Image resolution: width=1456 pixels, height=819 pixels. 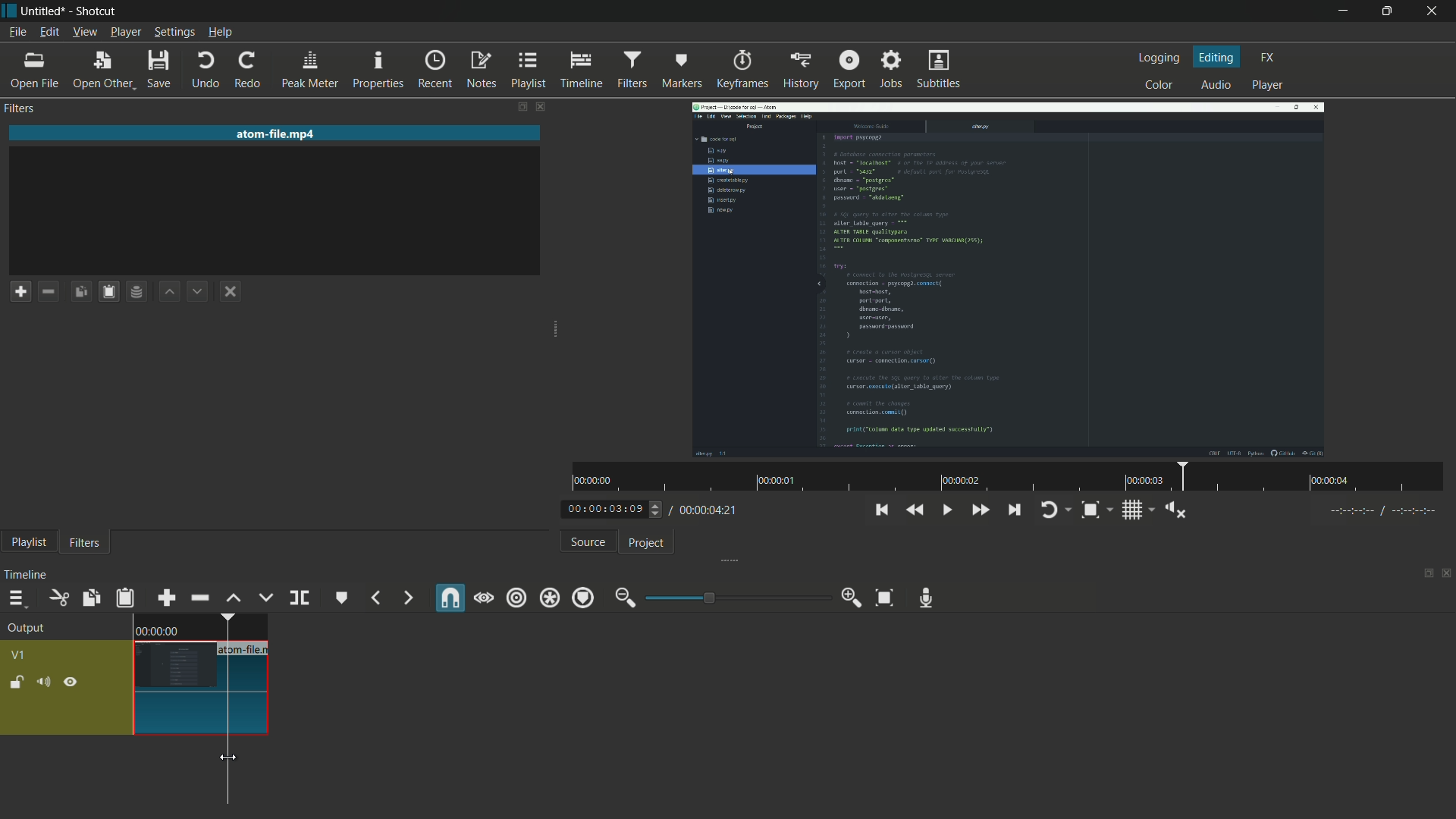 What do you see at coordinates (519, 107) in the screenshot?
I see `change layout` at bounding box center [519, 107].